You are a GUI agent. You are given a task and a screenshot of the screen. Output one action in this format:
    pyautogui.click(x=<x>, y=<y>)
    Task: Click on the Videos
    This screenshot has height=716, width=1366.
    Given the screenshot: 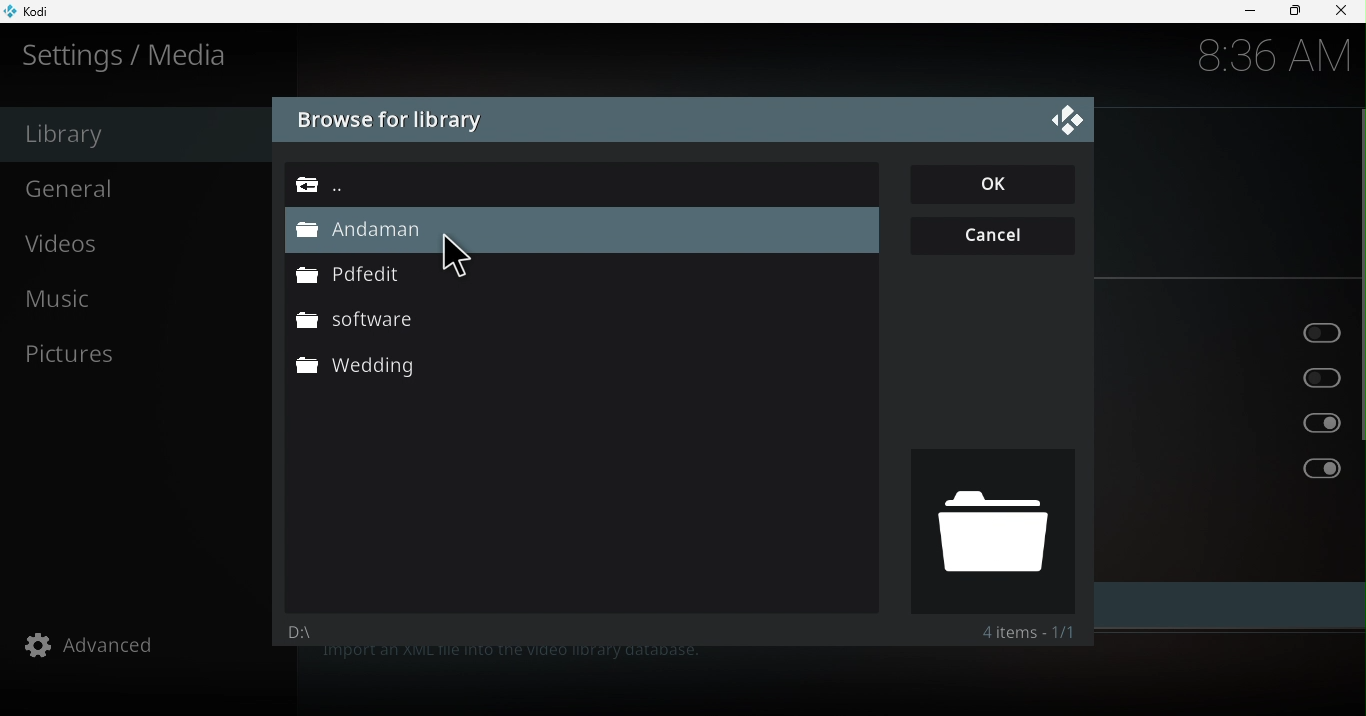 What is the action you would take?
    pyautogui.click(x=145, y=247)
    